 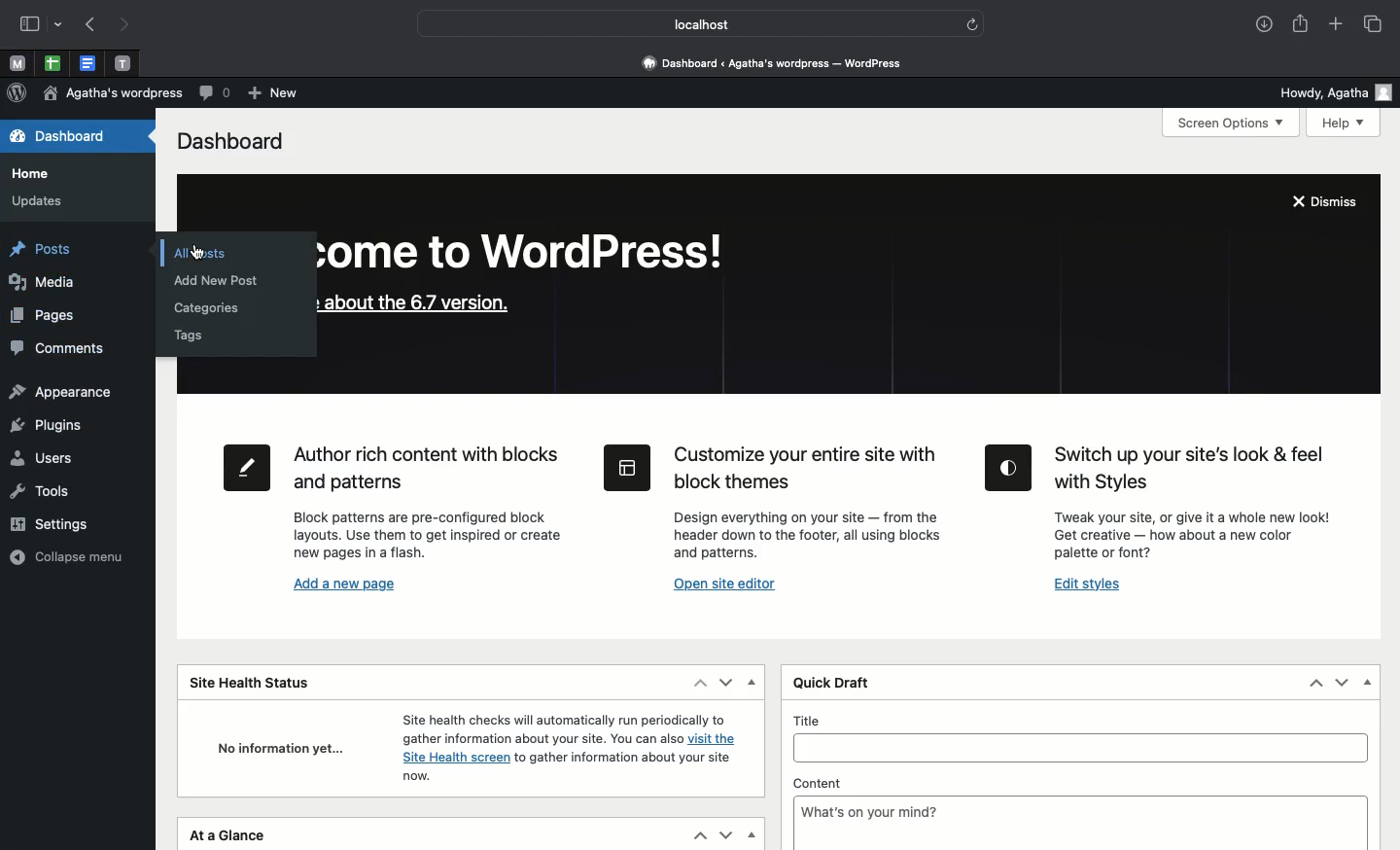 I want to click on Dashboard, so click(x=54, y=138).